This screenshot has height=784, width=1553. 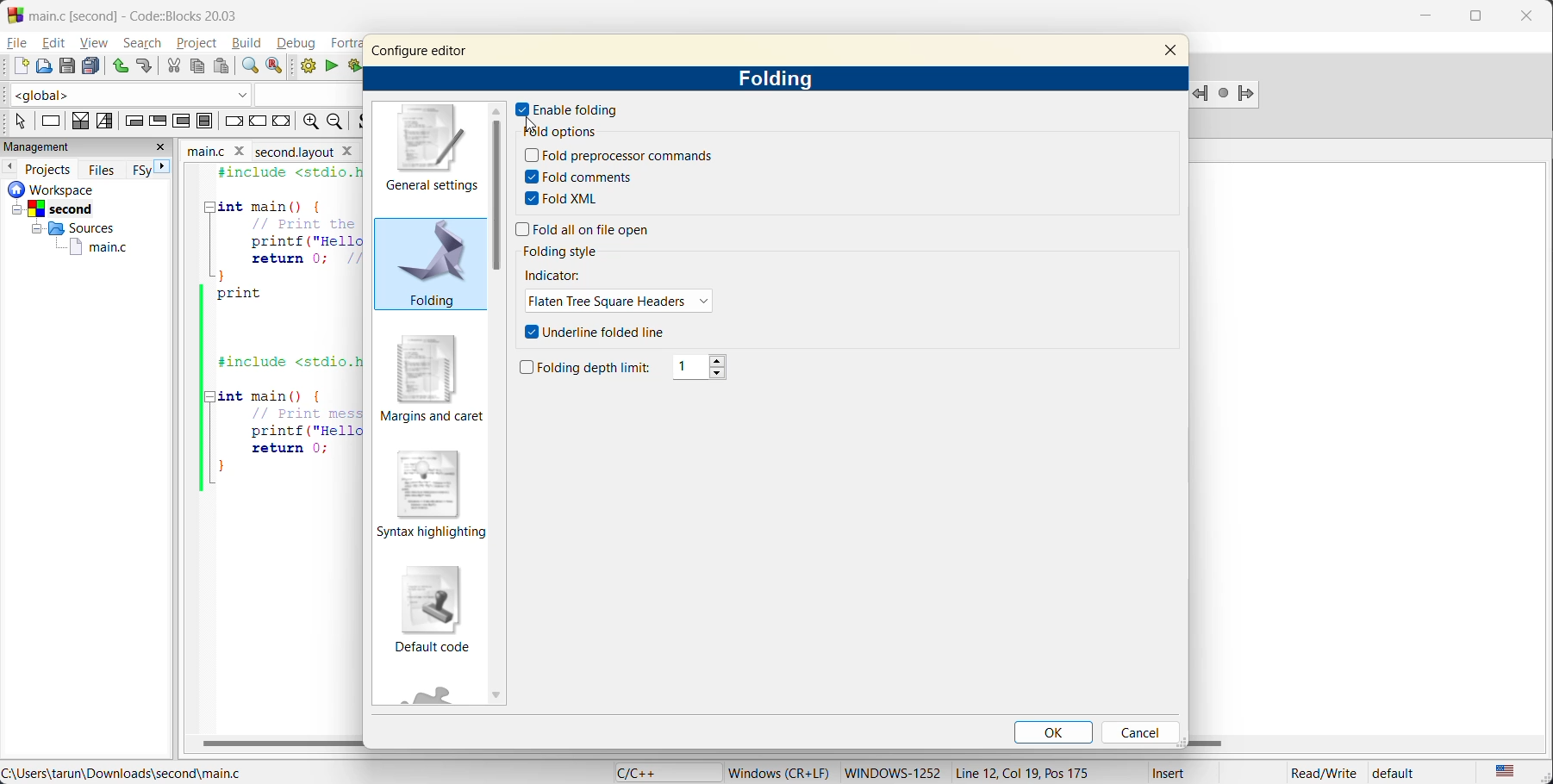 What do you see at coordinates (221, 66) in the screenshot?
I see `paste` at bounding box center [221, 66].